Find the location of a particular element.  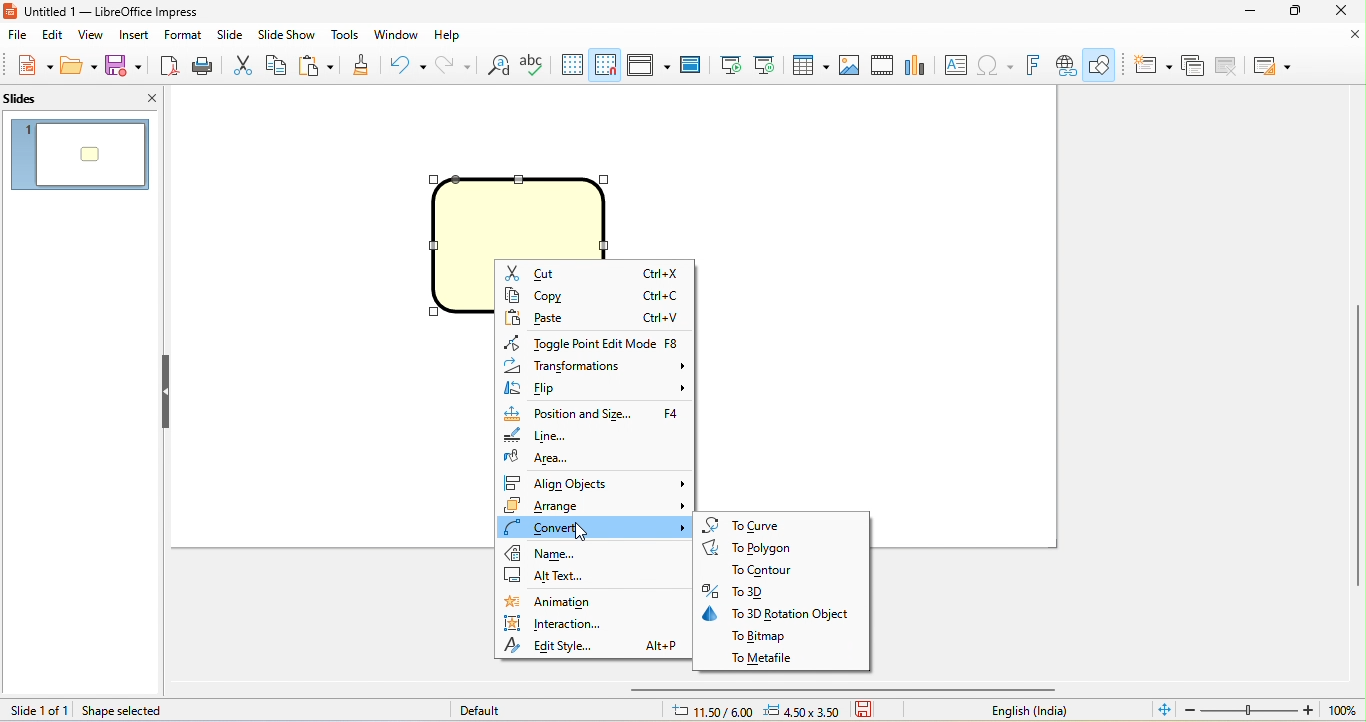

shape selected is located at coordinates (128, 711).